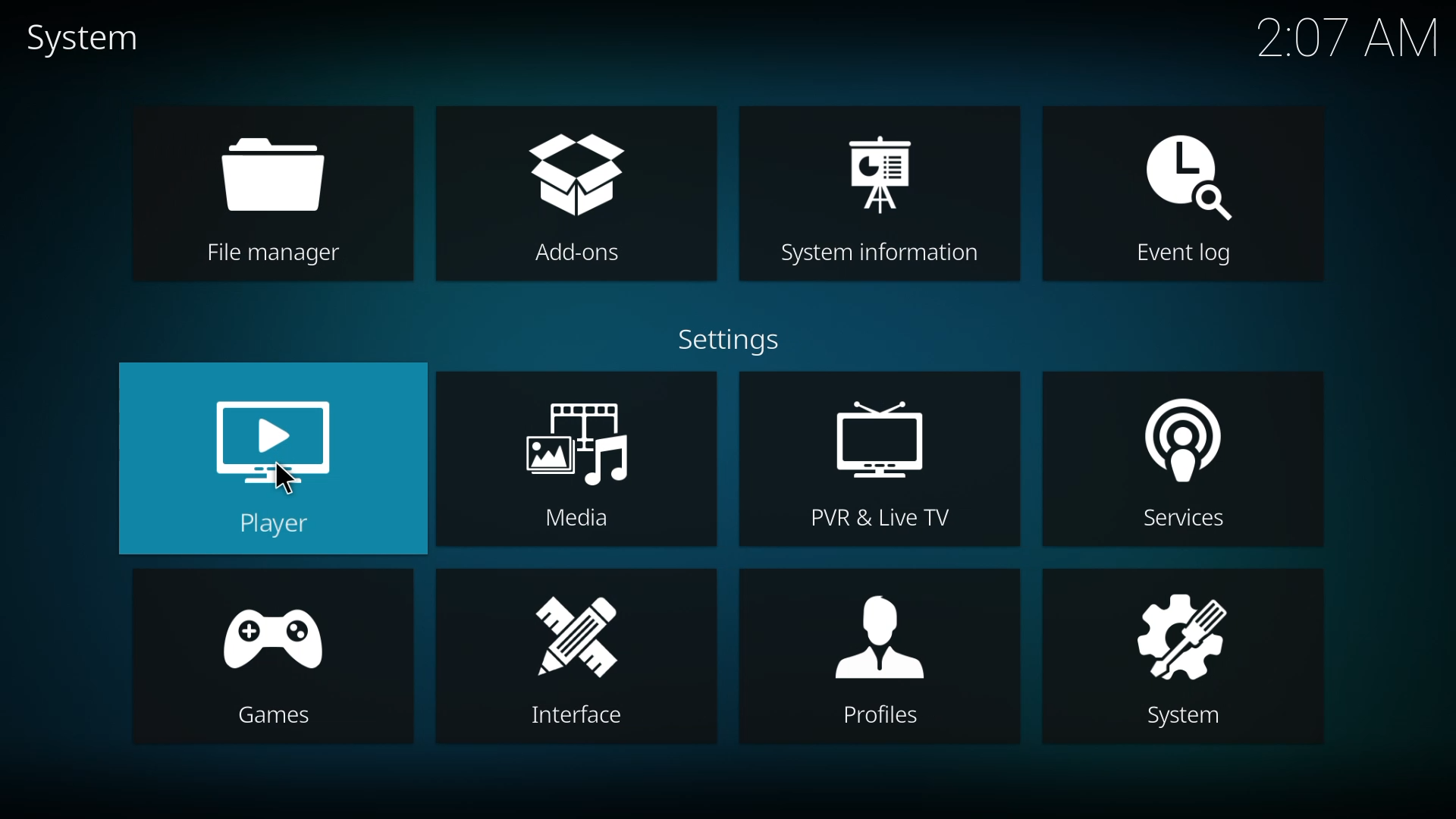 The height and width of the screenshot is (819, 1456). What do you see at coordinates (1183, 194) in the screenshot?
I see `event log` at bounding box center [1183, 194].